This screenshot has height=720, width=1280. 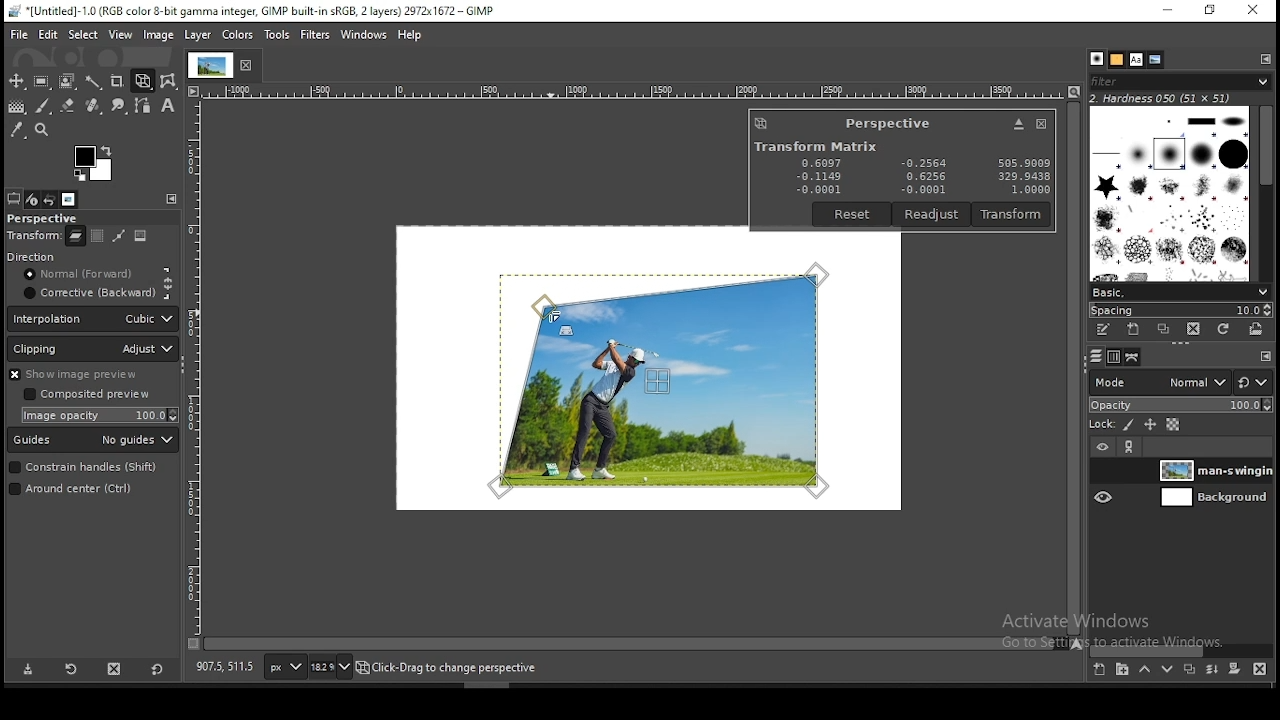 What do you see at coordinates (69, 199) in the screenshot?
I see `images` at bounding box center [69, 199].